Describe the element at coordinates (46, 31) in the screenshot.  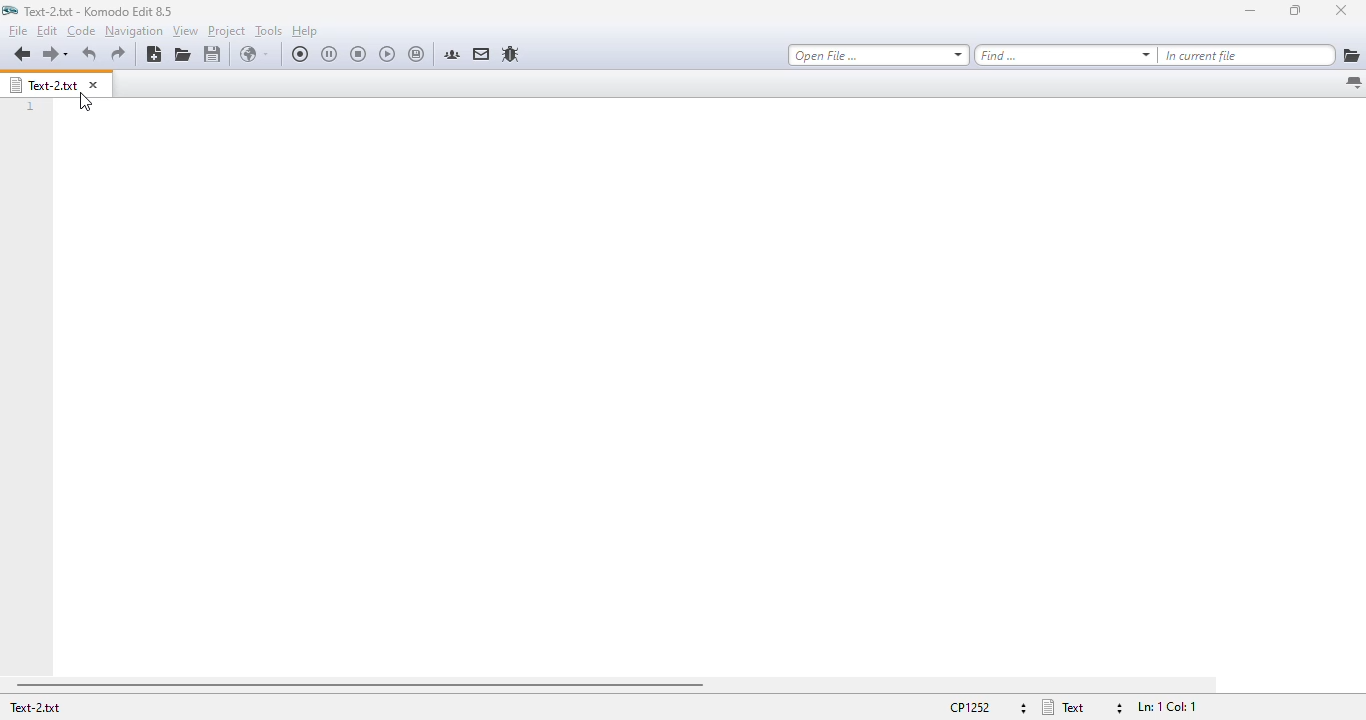
I see `edit` at that location.